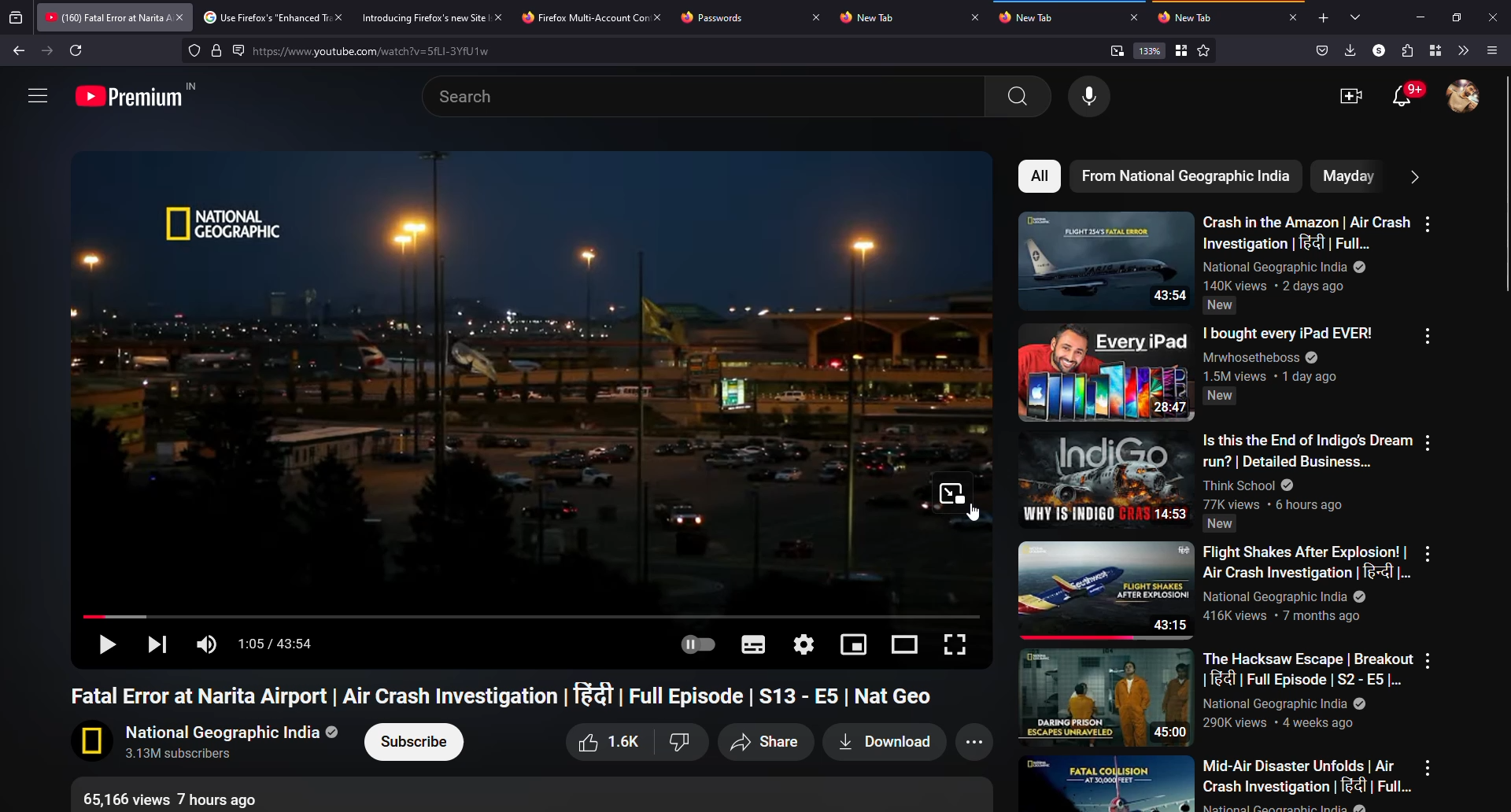 This screenshot has height=812, width=1511. I want to click on fullscreen, so click(954, 644).